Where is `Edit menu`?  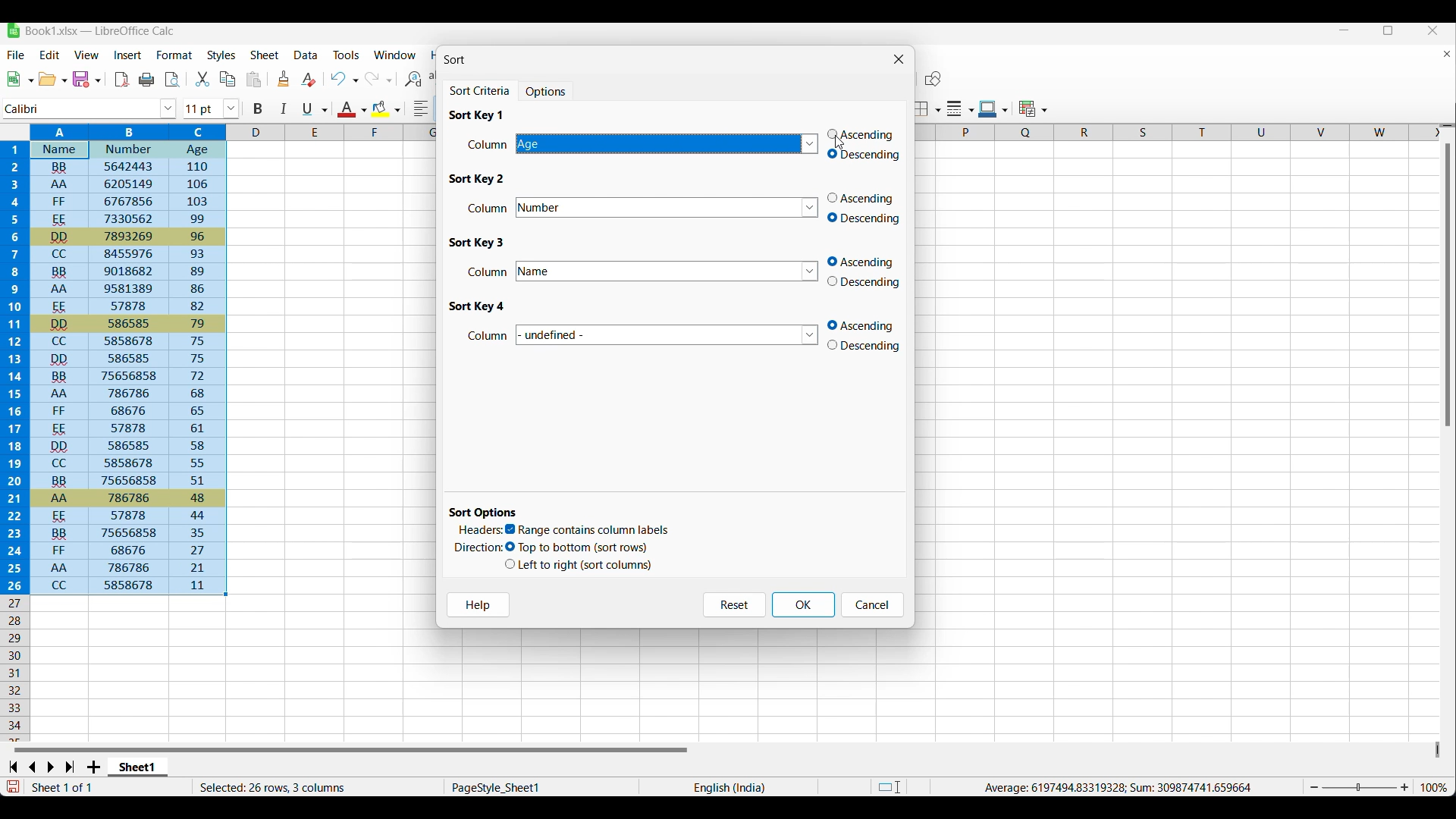
Edit menu is located at coordinates (50, 55).